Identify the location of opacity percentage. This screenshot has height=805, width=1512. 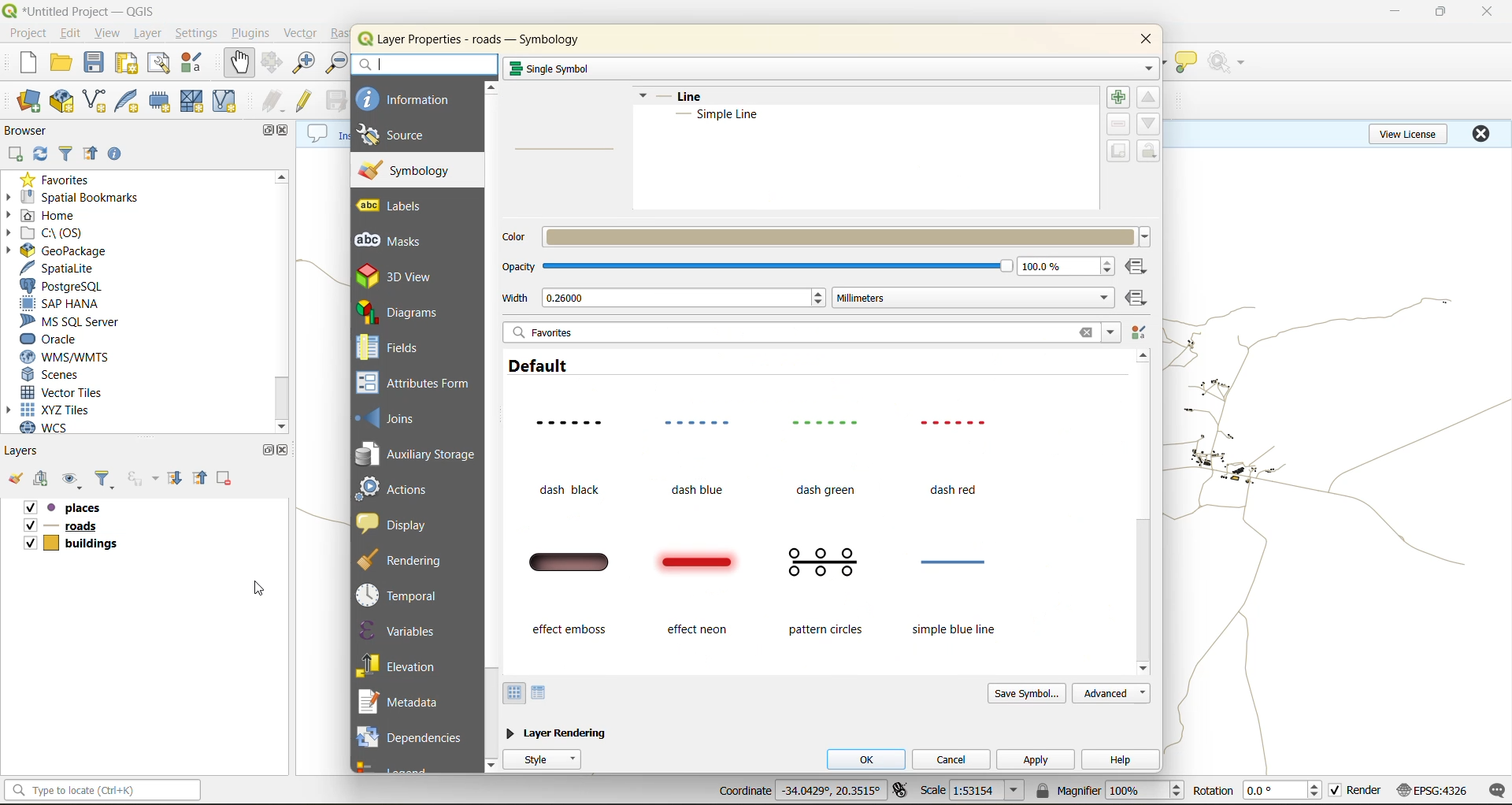
(1068, 265).